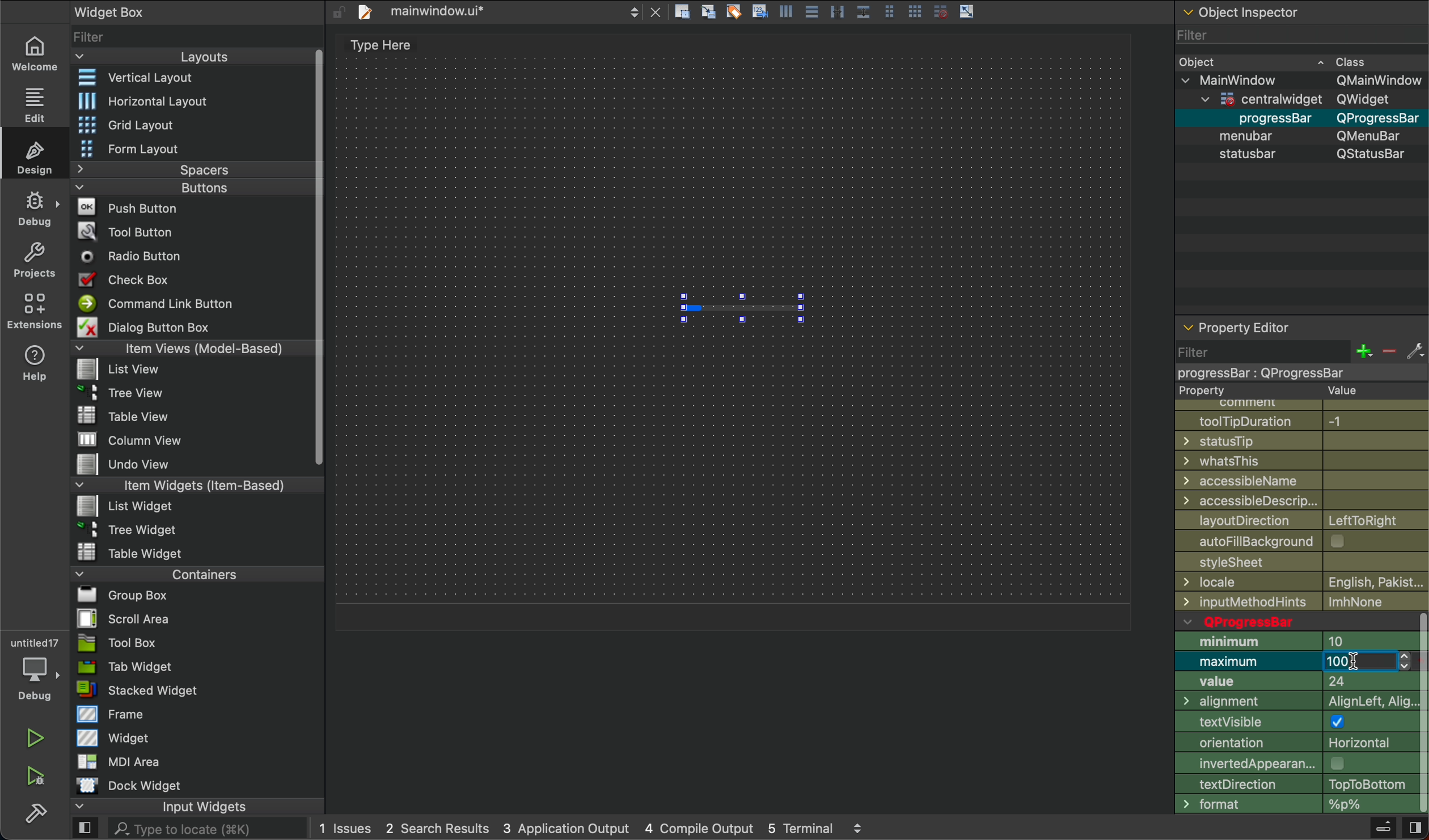 The height and width of the screenshot is (840, 1429). I want to click on locale, so click(1302, 582).